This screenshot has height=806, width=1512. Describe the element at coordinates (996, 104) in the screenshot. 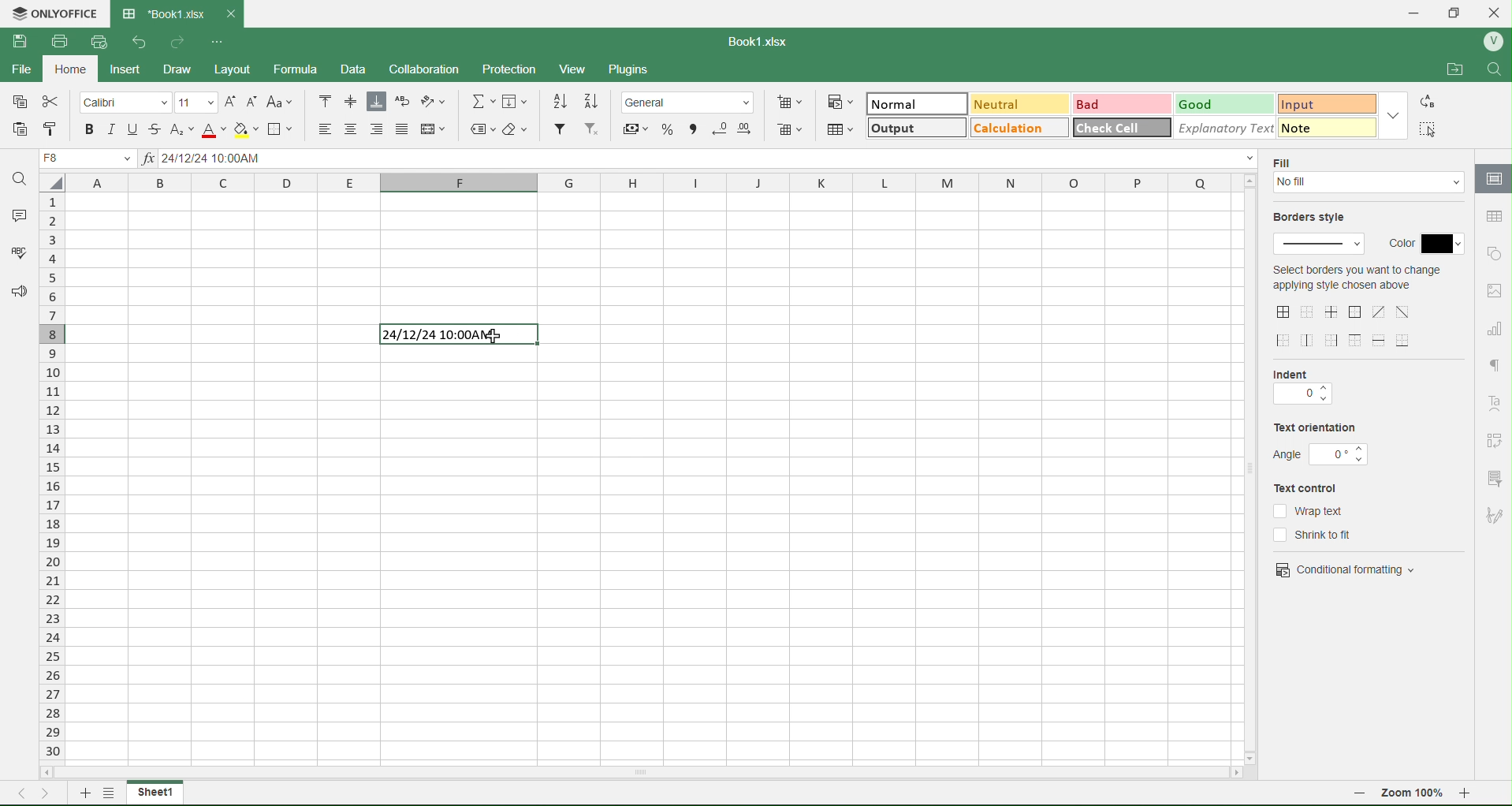

I see `Neutral` at that location.